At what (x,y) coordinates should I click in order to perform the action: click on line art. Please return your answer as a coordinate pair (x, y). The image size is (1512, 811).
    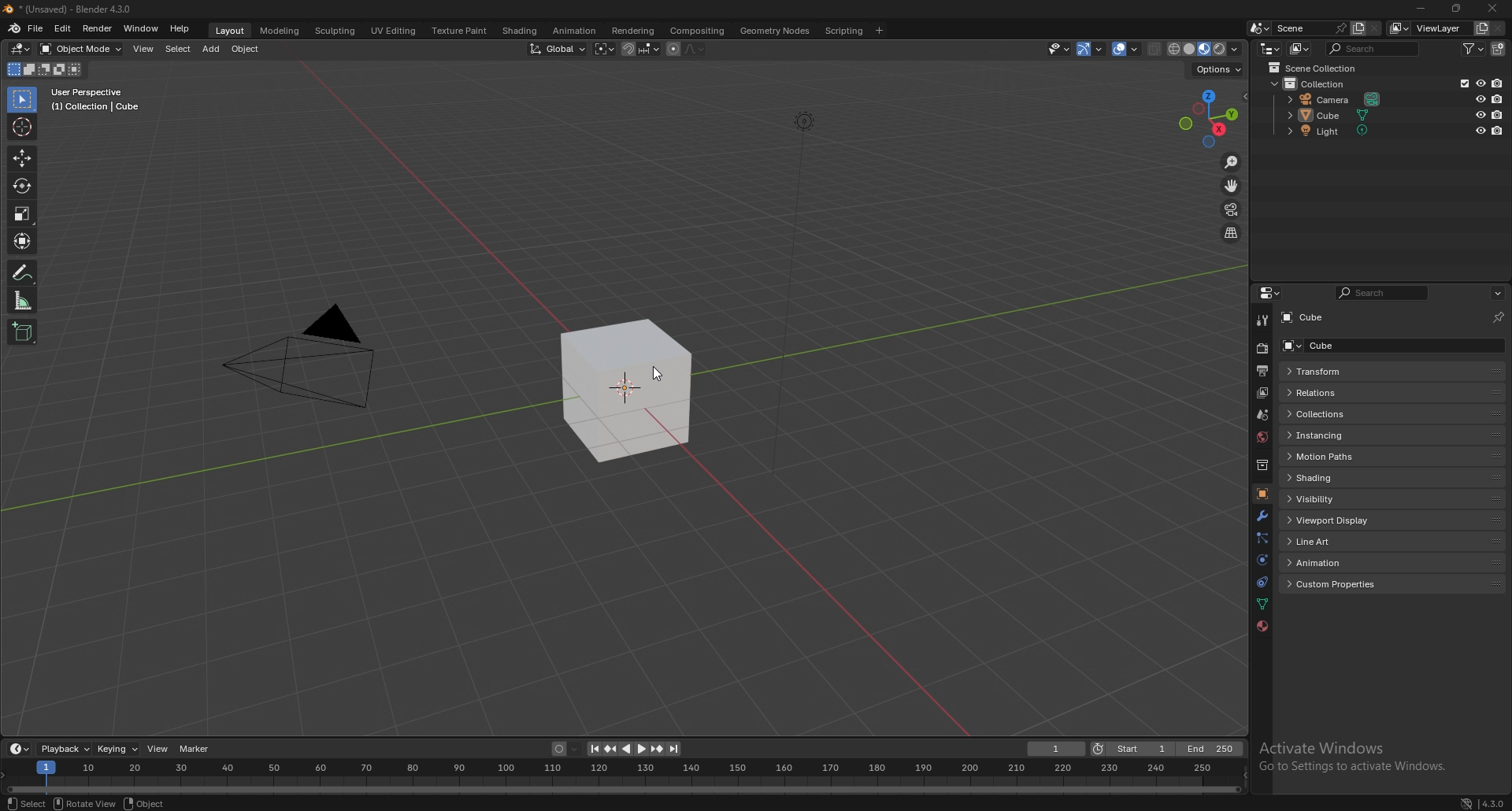
    Looking at the image, I should click on (1335, 542).